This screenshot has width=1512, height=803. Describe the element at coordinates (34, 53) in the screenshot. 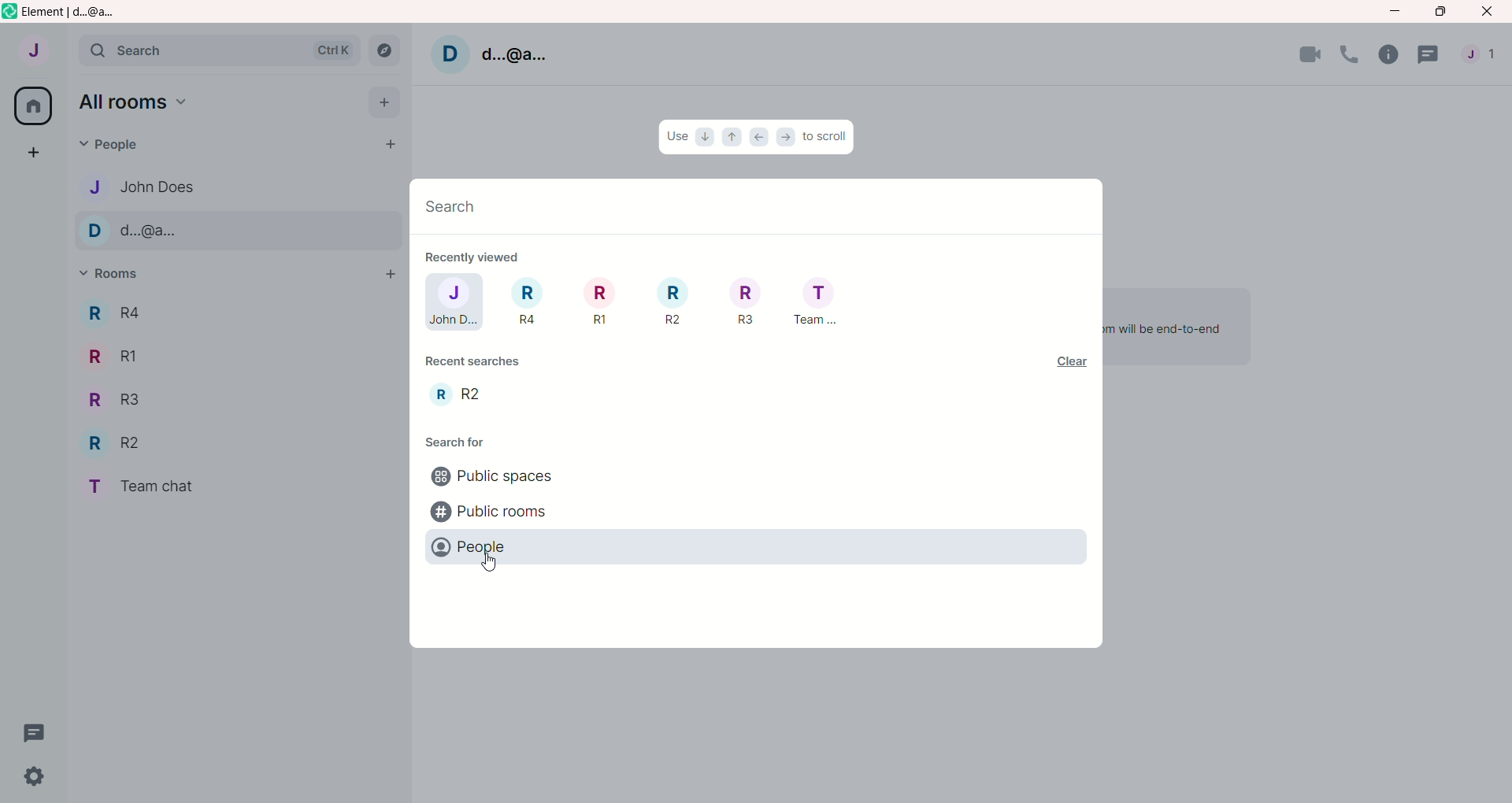

I see `account` at that location.